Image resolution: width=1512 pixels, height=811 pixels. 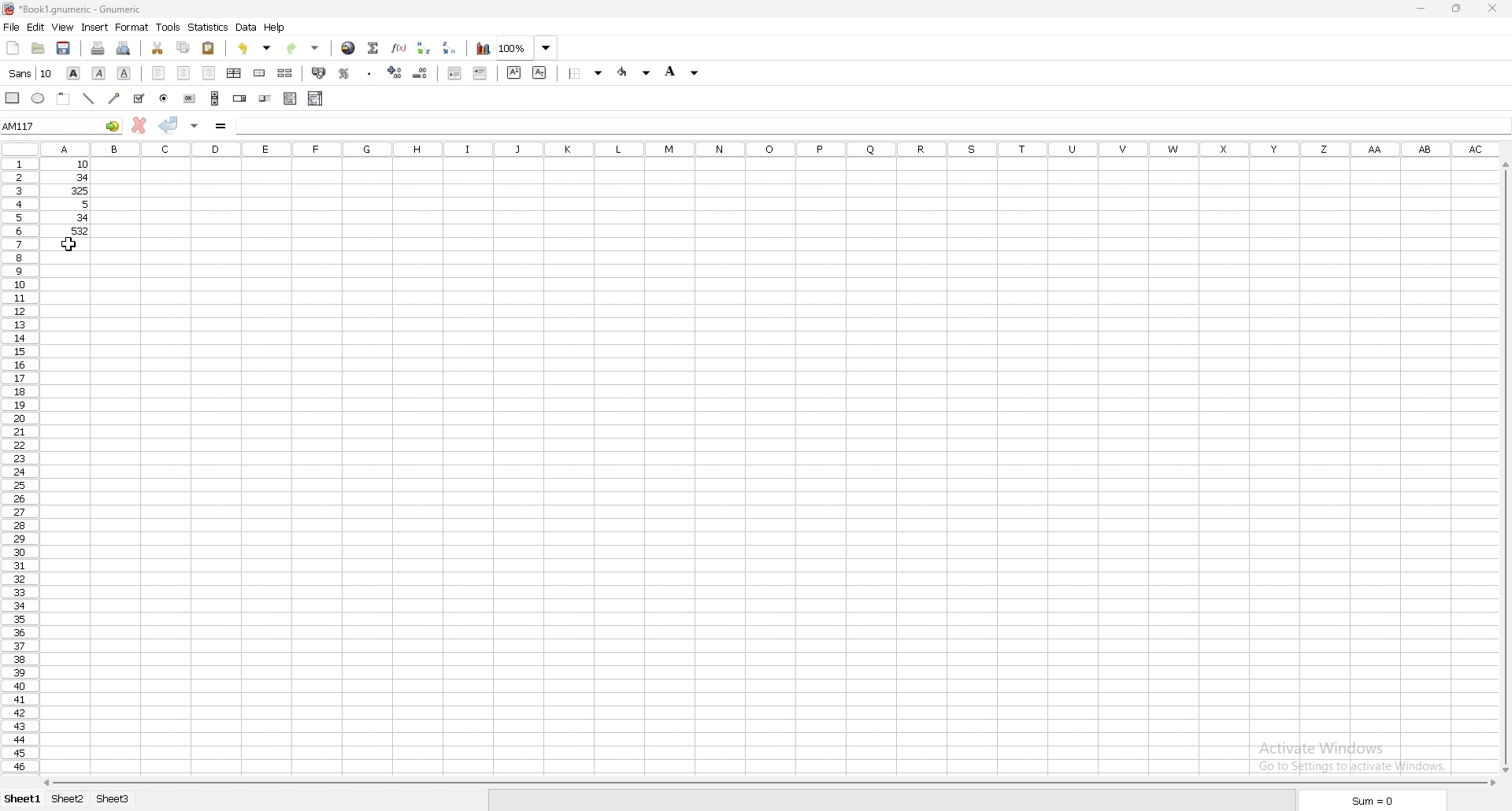 What do you see at coordinates (422, 72) in the screenshot?
I see `decrease decimals` at bounding box center [422, 72].